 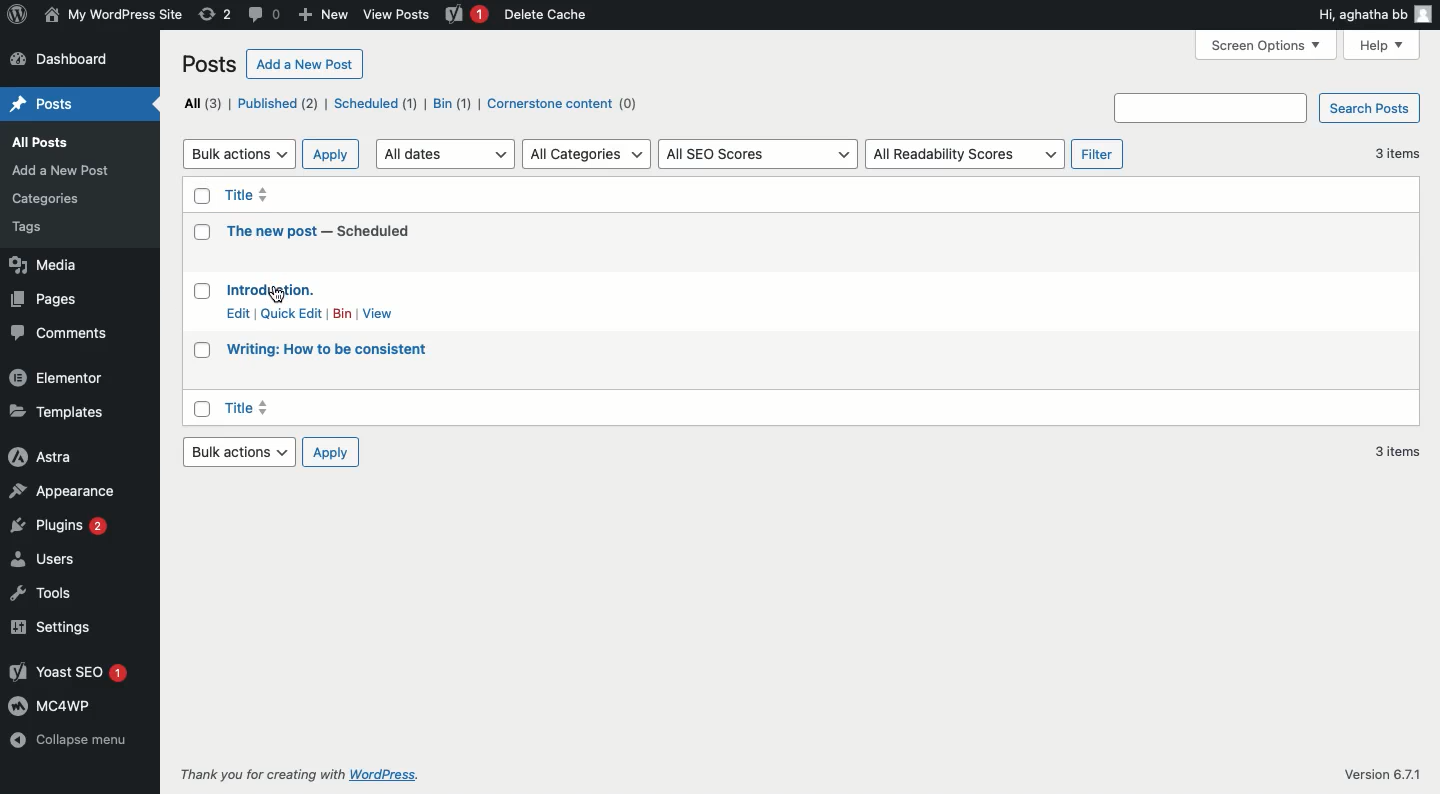 I want to click on Search posts, so click(x=1211, y=108).